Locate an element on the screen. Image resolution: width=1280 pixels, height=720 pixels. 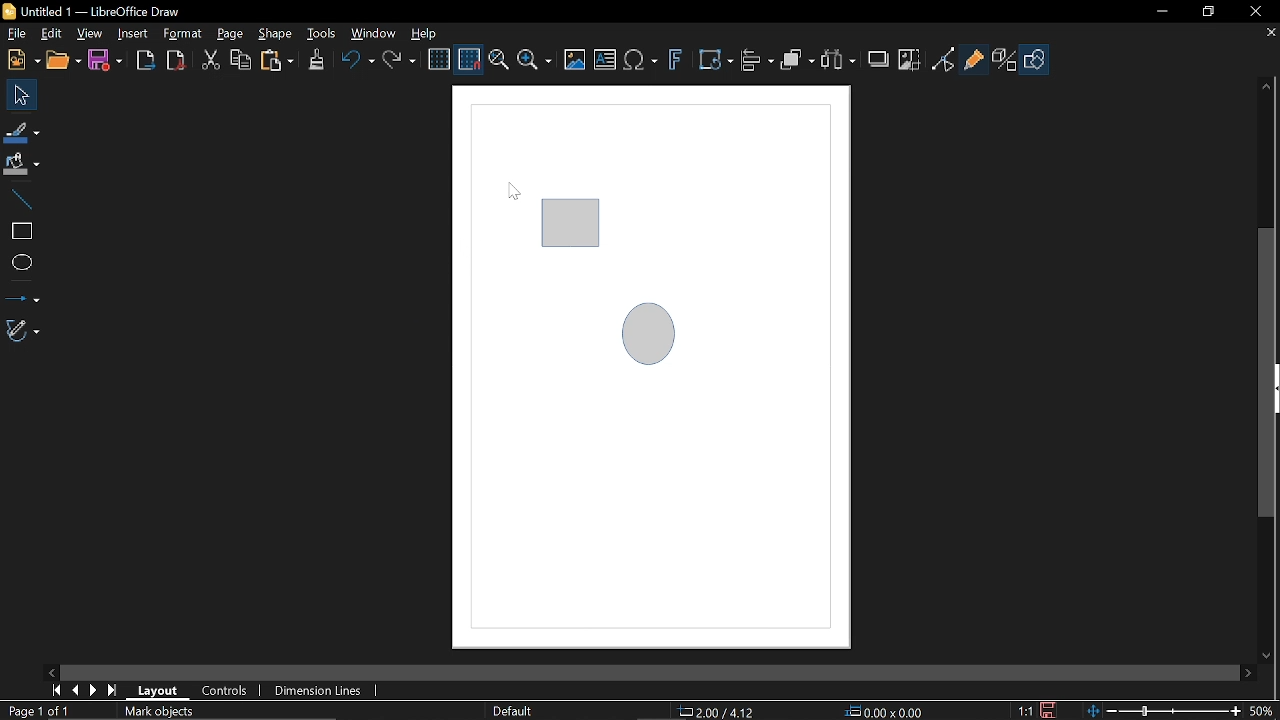
Fill color is located at coordinates (20, 162).